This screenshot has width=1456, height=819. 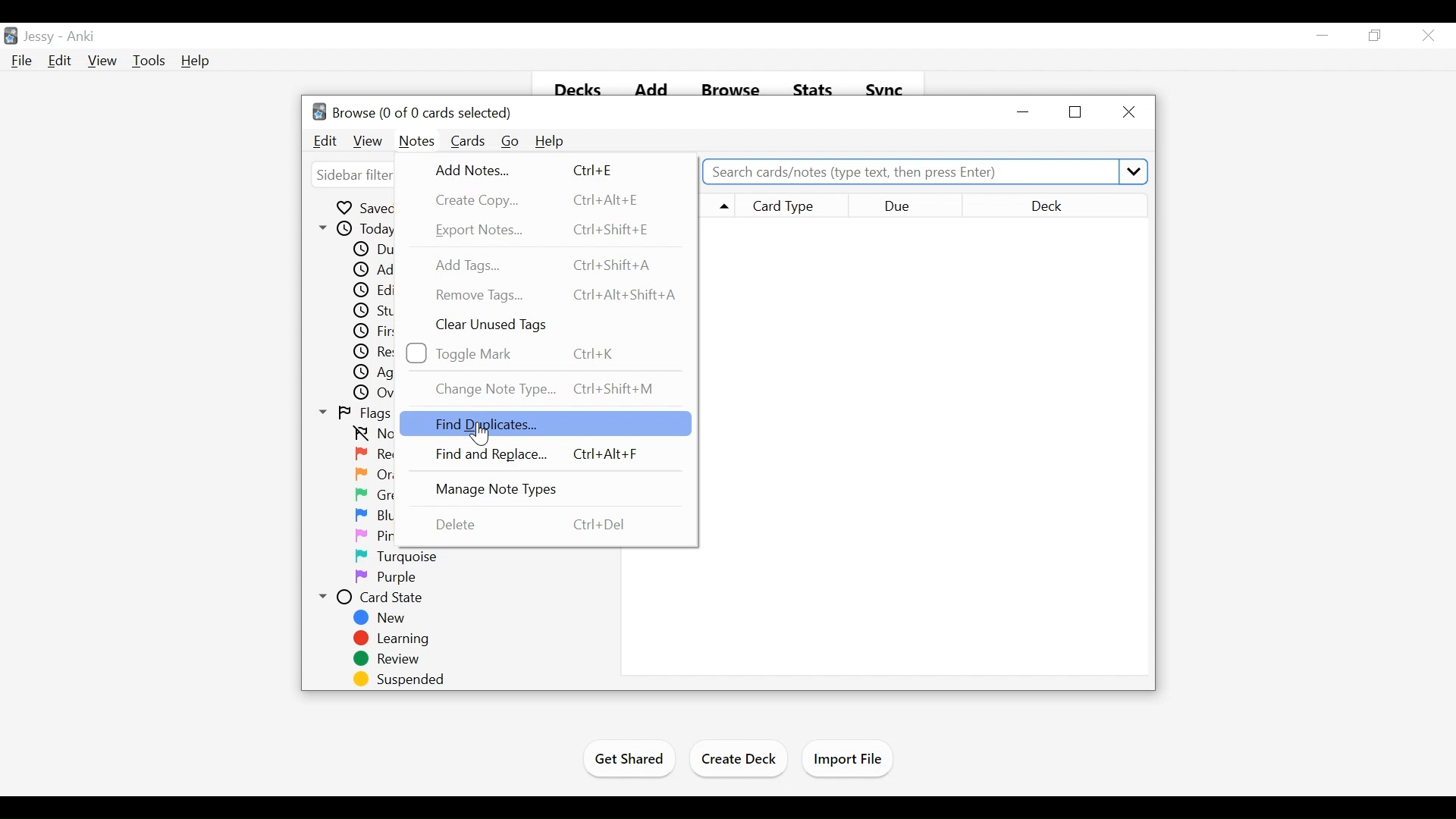 What do you see at coordinates (627, 761) in the screenshot?
I see `Get Shared` at bounding box center [627, 761].